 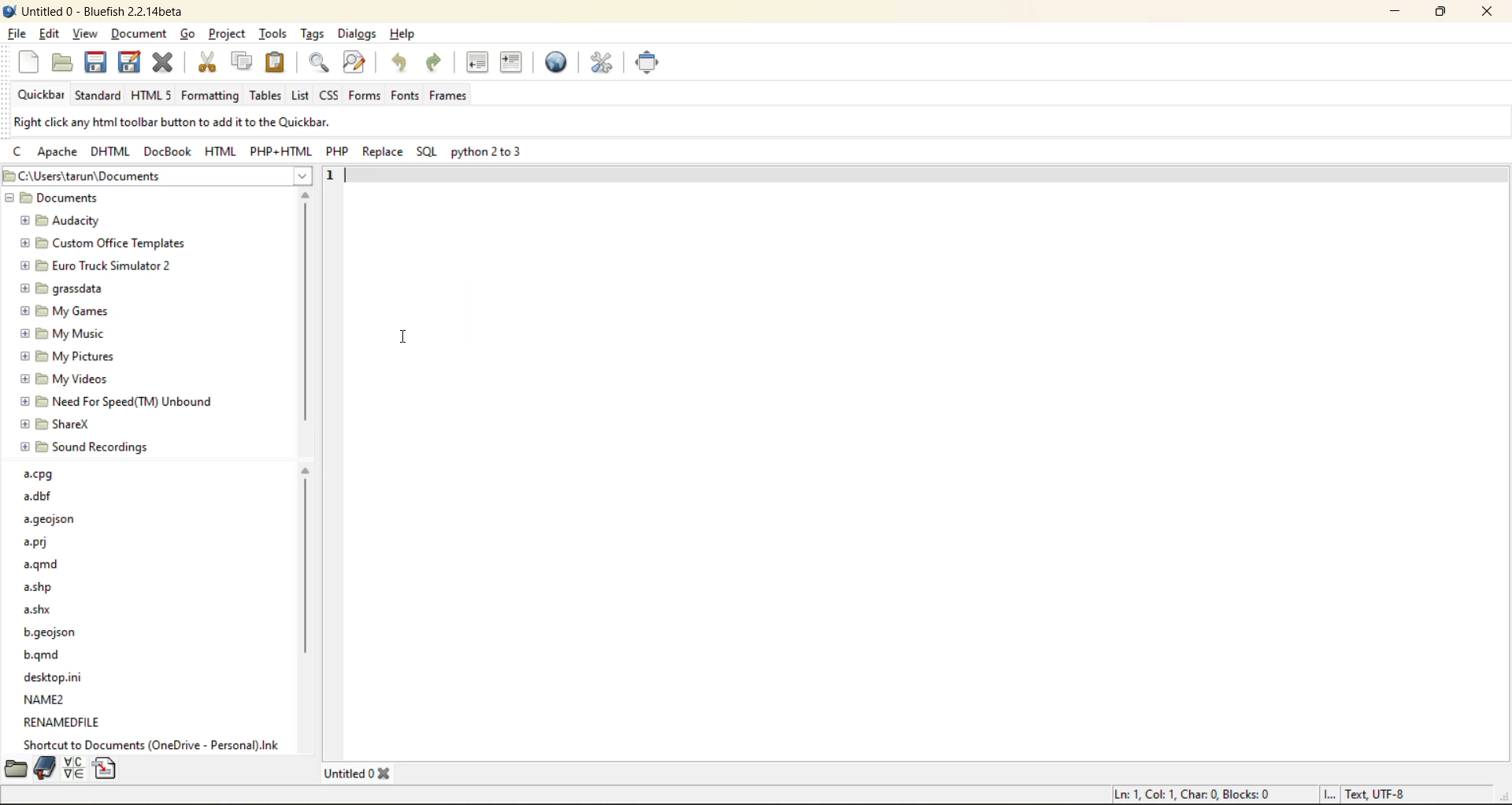 What do you see at coordinates (20, 150) in the screenshot?
I see `c` at bounding box center [20, 150].